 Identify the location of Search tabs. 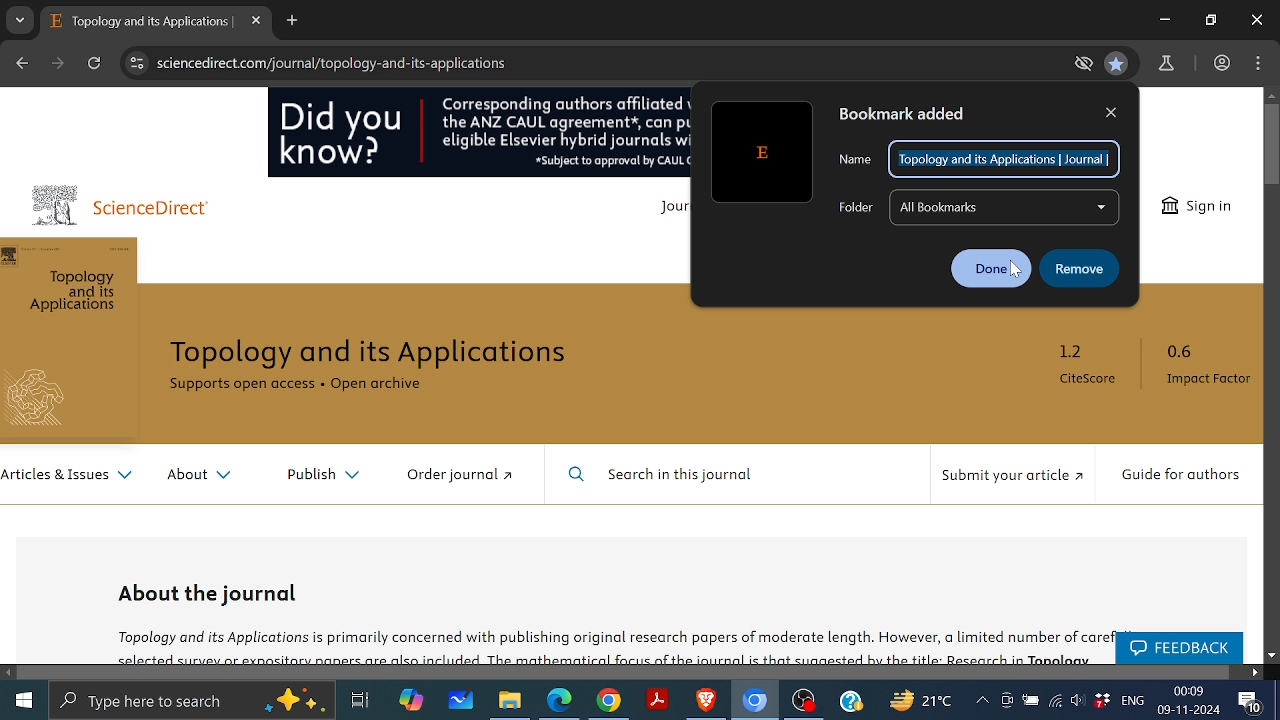
(20, 20).